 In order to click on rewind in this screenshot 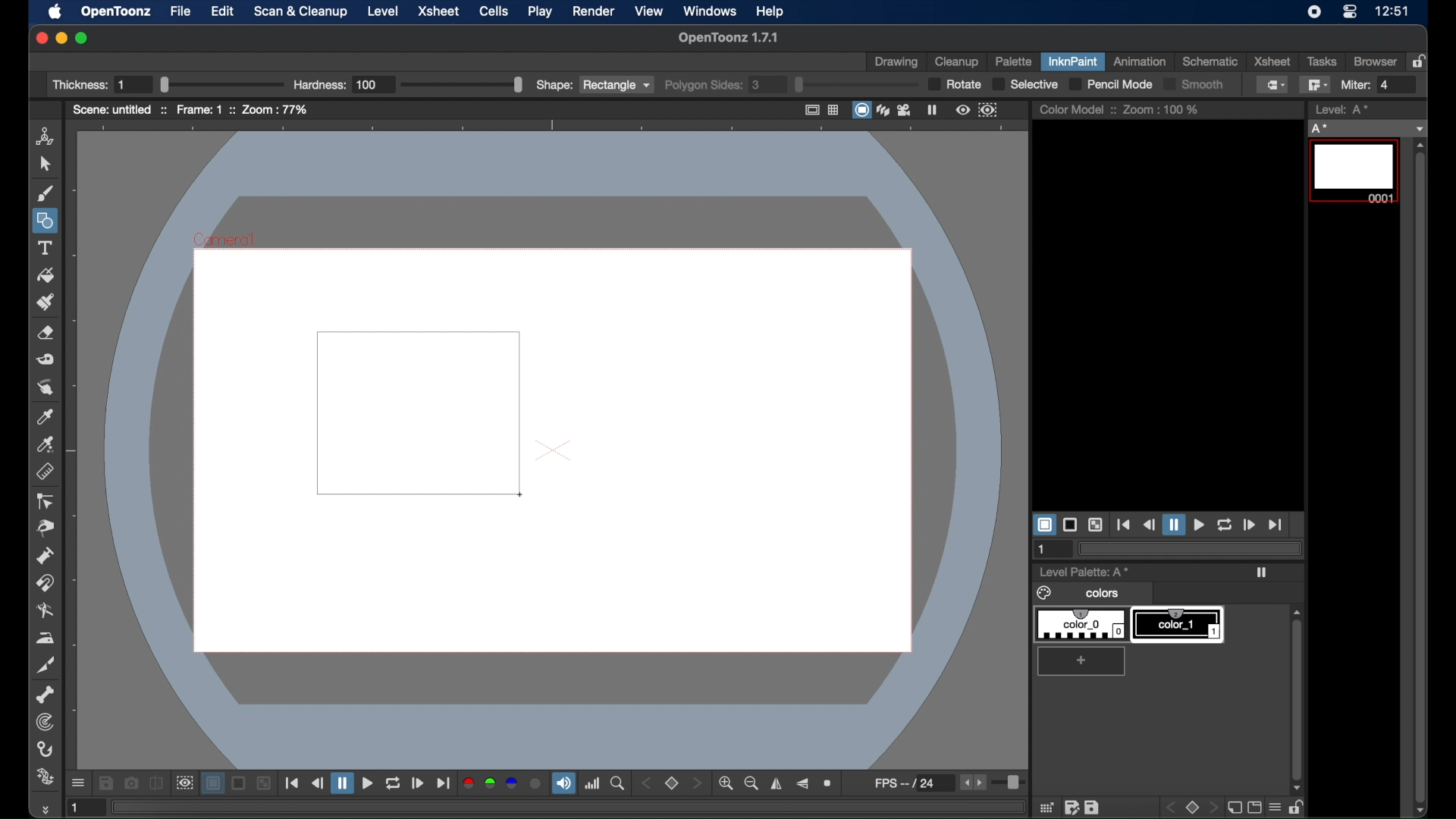, I will do `click(1148, 525)`.